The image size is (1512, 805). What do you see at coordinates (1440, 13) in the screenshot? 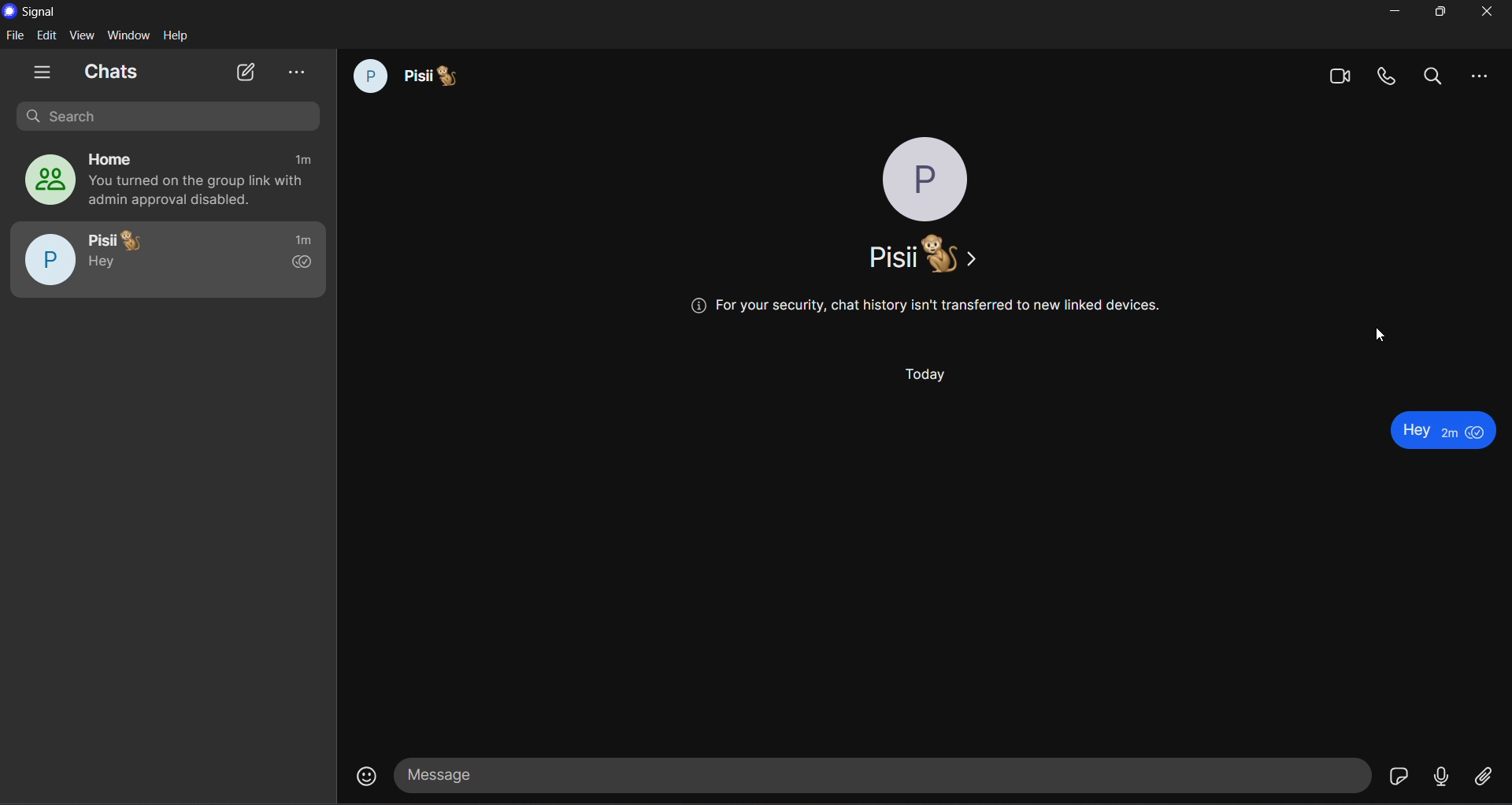
I see `maximize` at bounding box center [1440, 13].